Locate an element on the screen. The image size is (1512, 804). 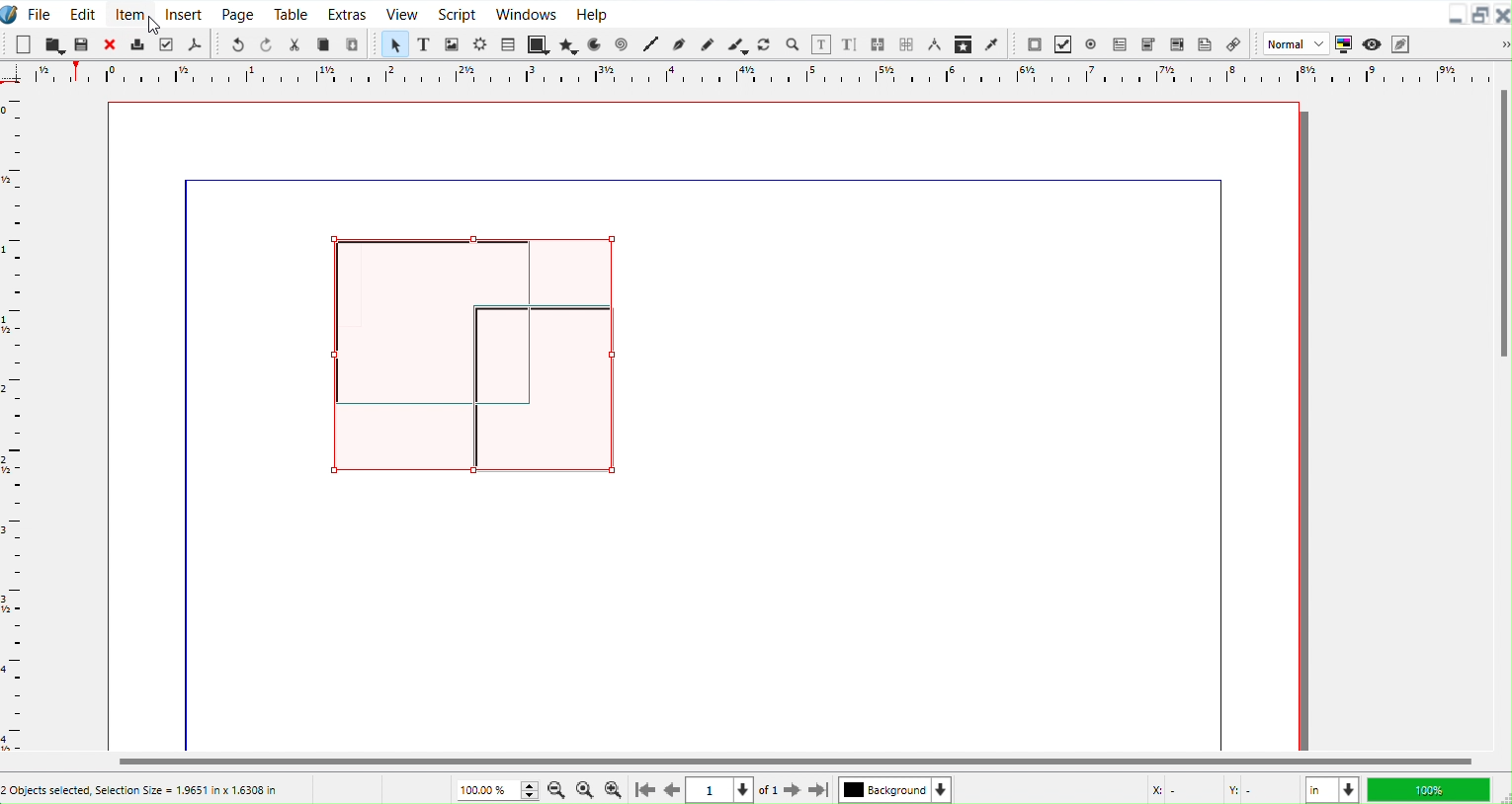
Maximize is located at coordinates (1481, 15).